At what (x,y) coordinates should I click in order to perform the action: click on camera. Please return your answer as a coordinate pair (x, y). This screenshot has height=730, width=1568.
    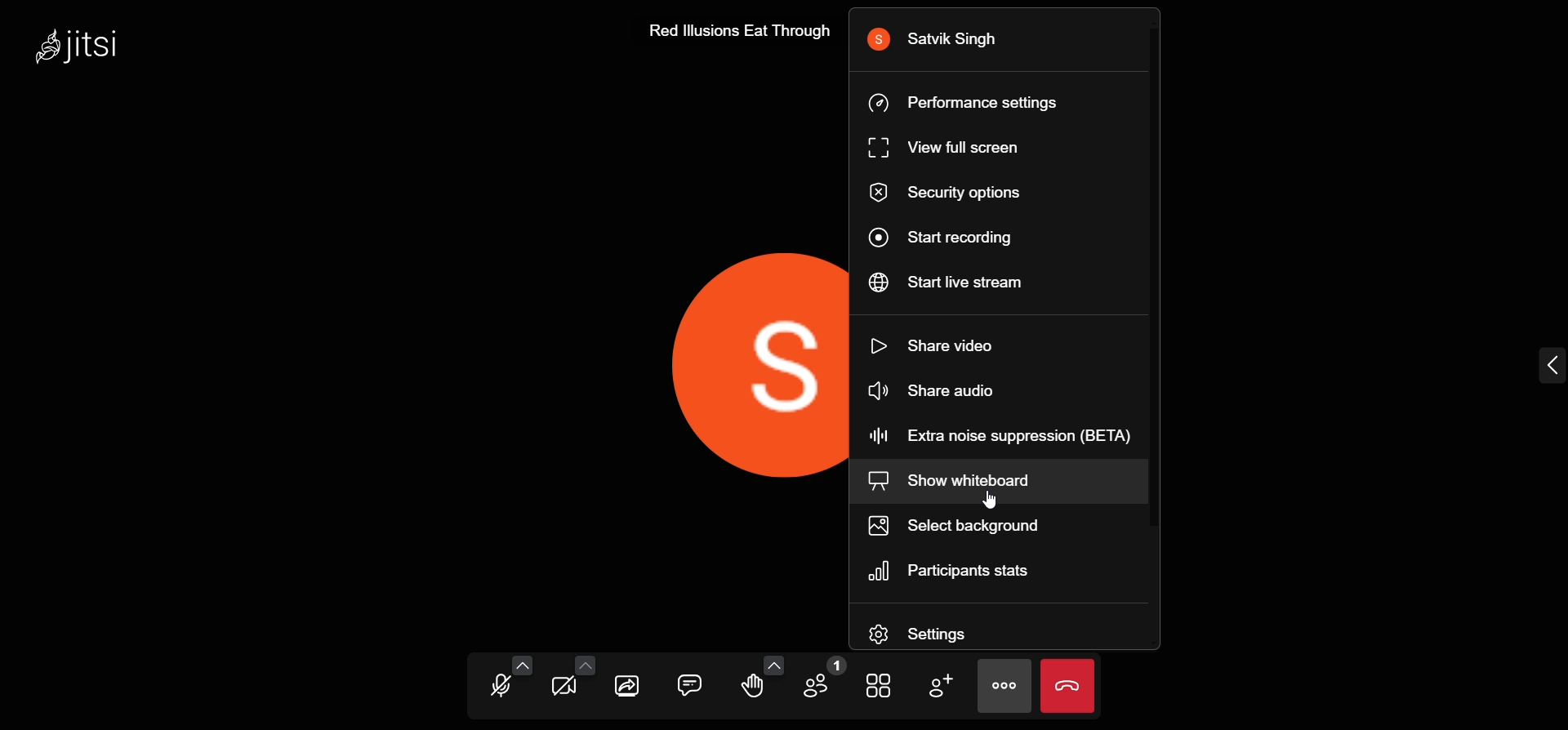
    Looking at the image, I should click on (565, 689).